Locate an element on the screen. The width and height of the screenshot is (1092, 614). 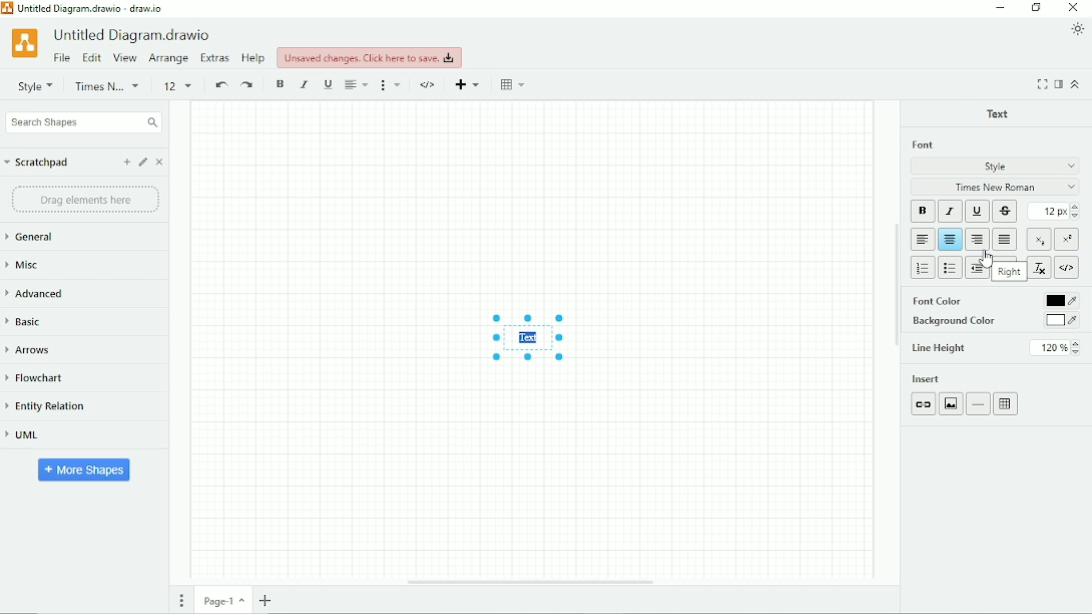
Appearance is located at coordinates (1077, 30).